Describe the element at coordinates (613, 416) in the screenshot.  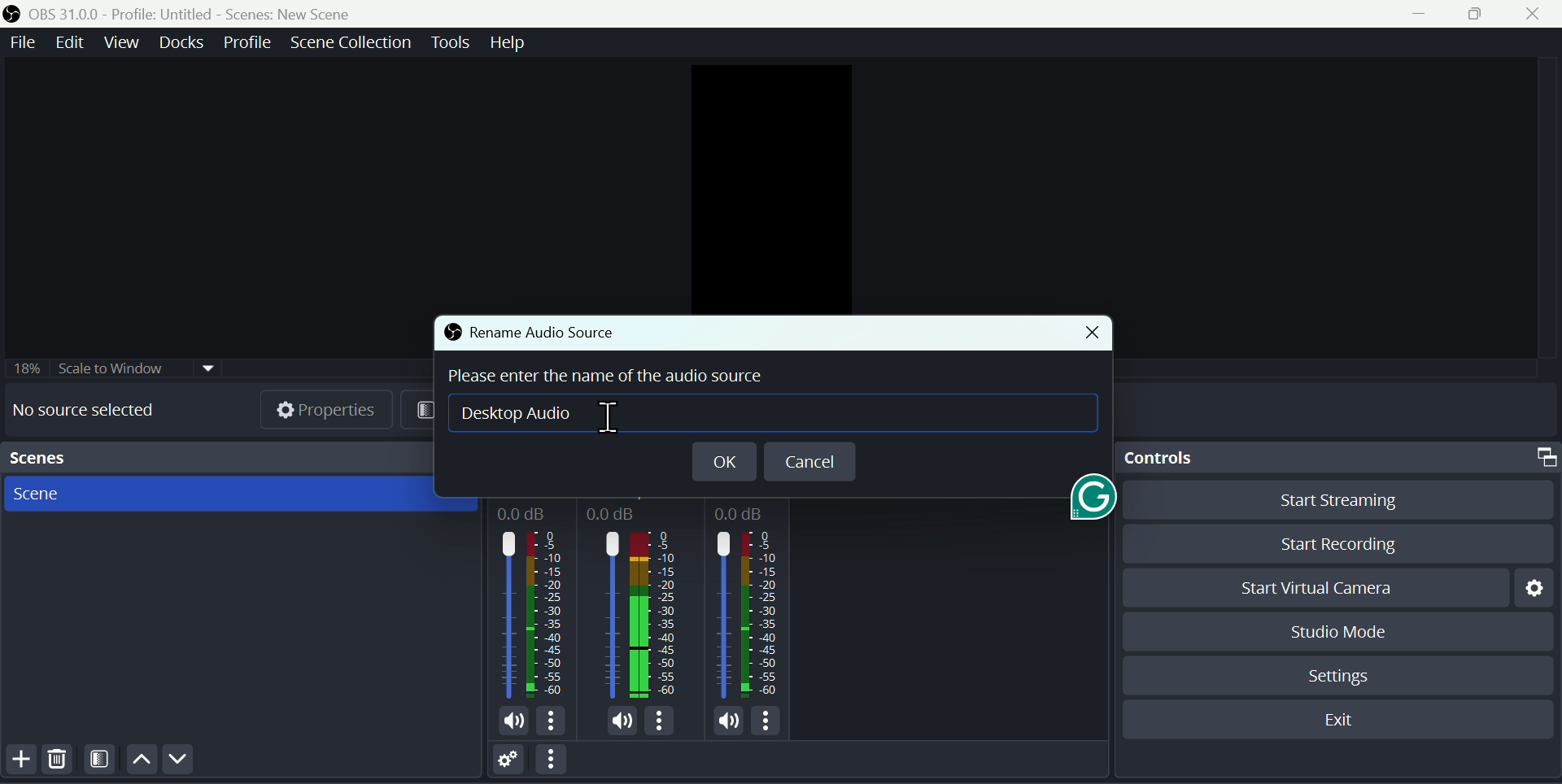
I see `cursor` at that location.